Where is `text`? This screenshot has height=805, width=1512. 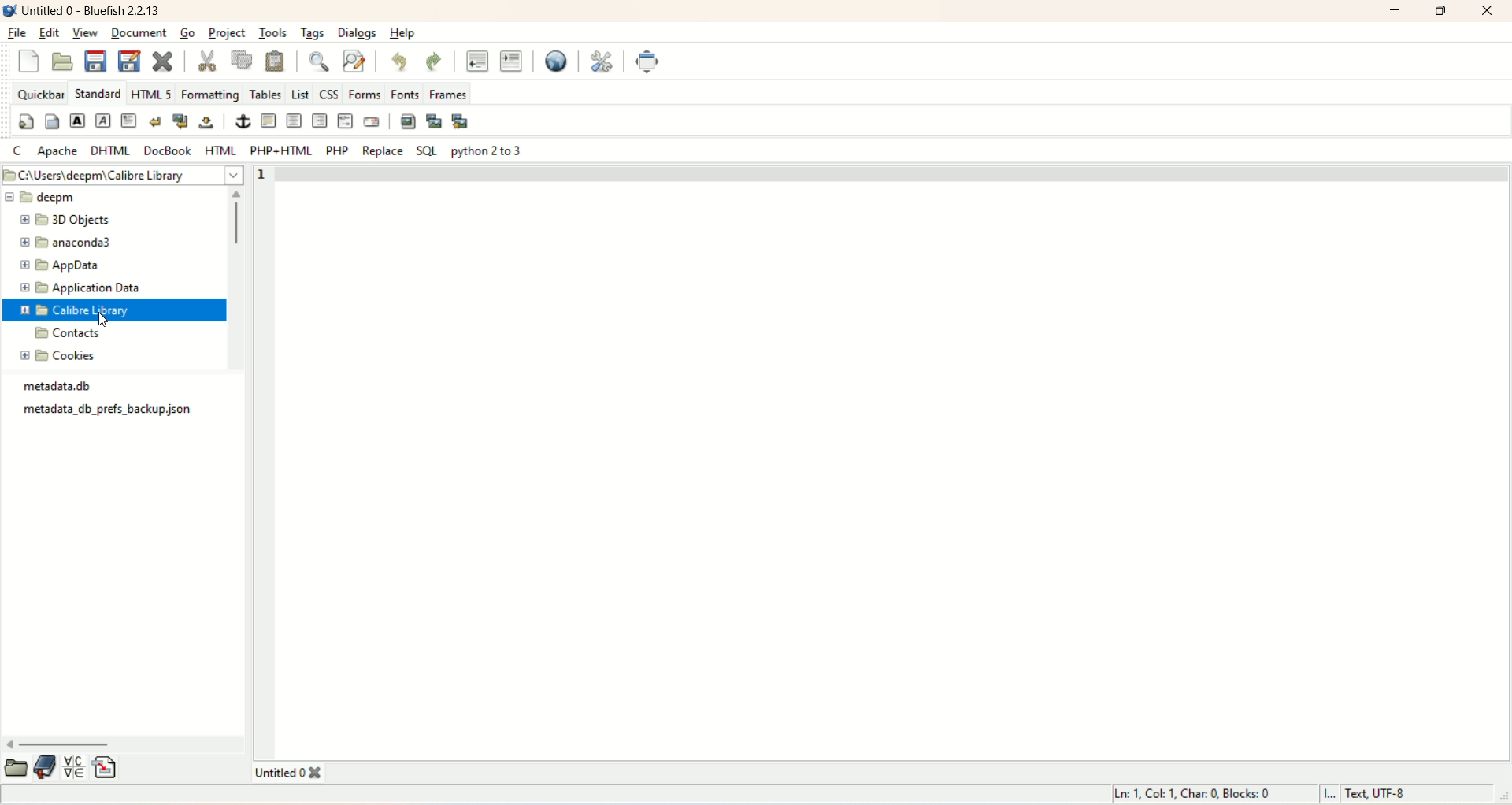 text is located at coordinates (113, 403).